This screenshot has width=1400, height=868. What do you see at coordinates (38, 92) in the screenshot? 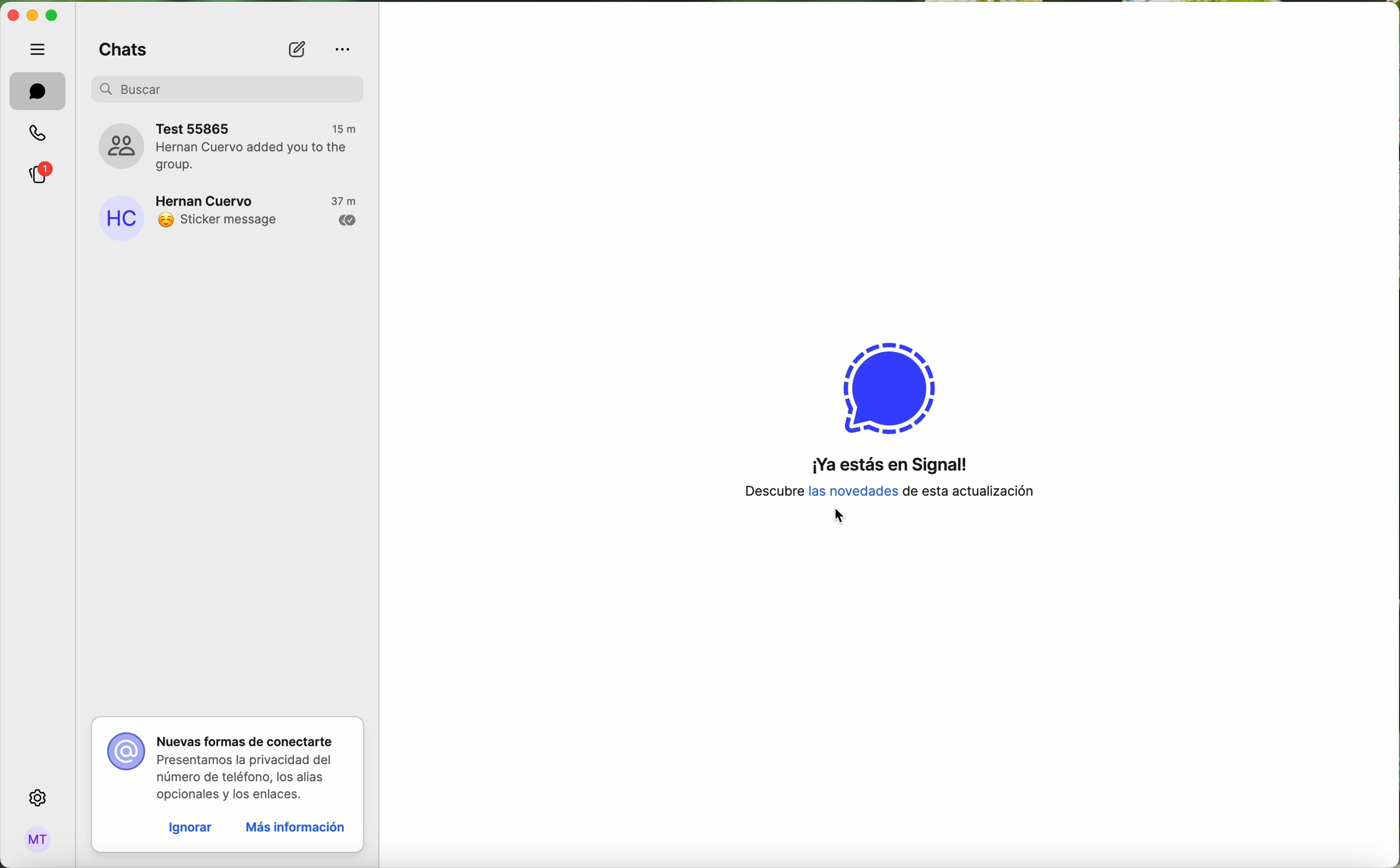
I see `chats` at bounding box center [38, 92].